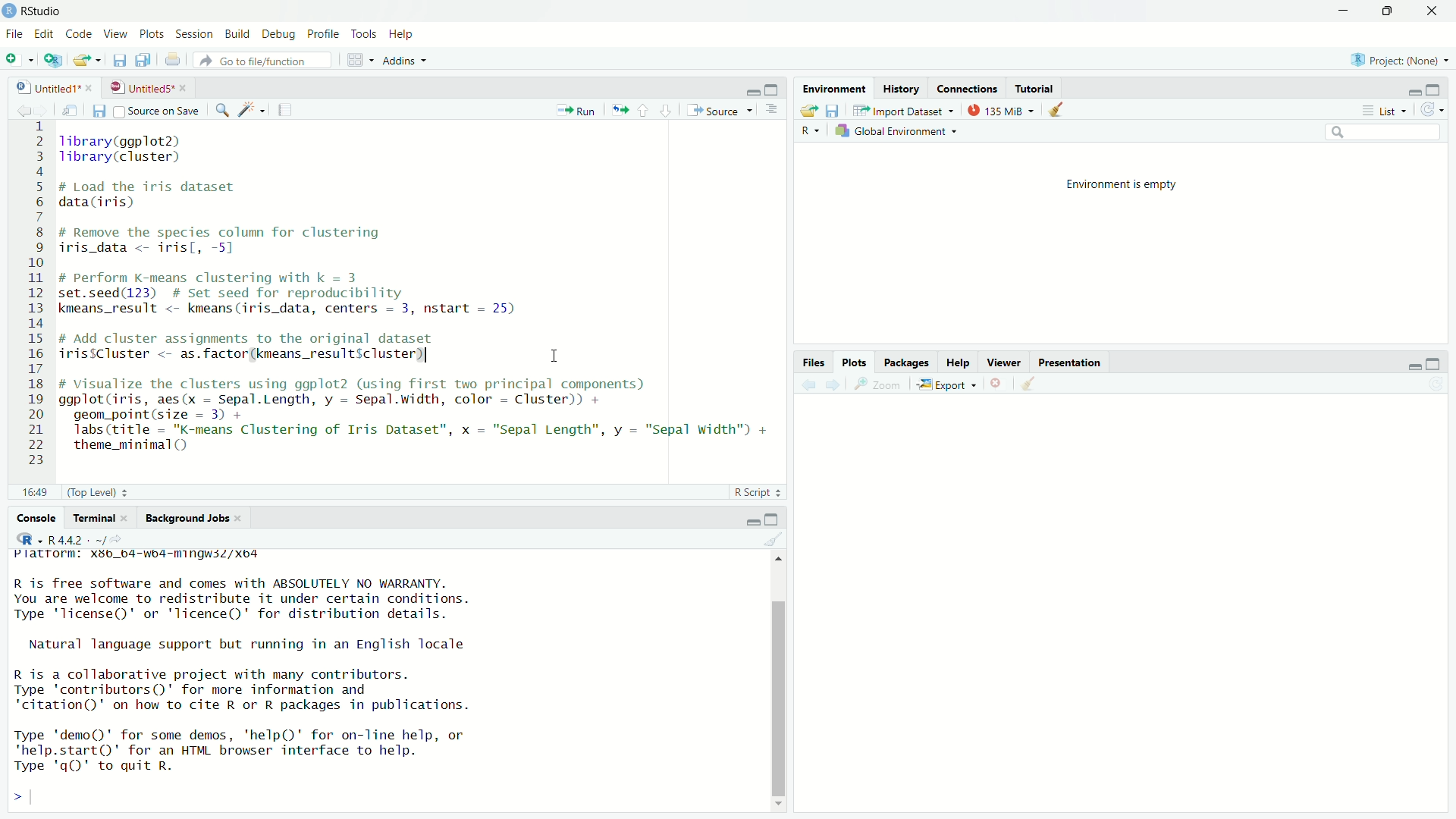 Image resolution: width=1456 pixels, height=819 pixels. I want to click on close, so click(246, 518).